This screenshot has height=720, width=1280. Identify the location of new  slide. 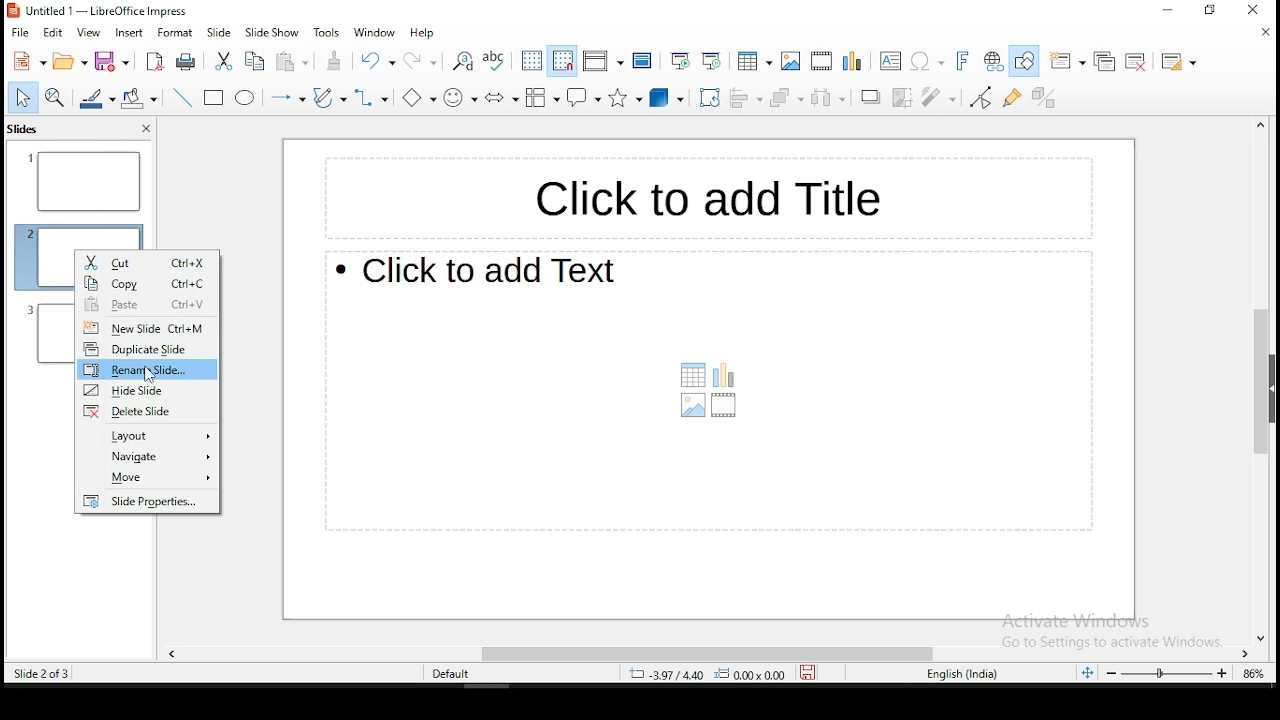
(1065, 62).